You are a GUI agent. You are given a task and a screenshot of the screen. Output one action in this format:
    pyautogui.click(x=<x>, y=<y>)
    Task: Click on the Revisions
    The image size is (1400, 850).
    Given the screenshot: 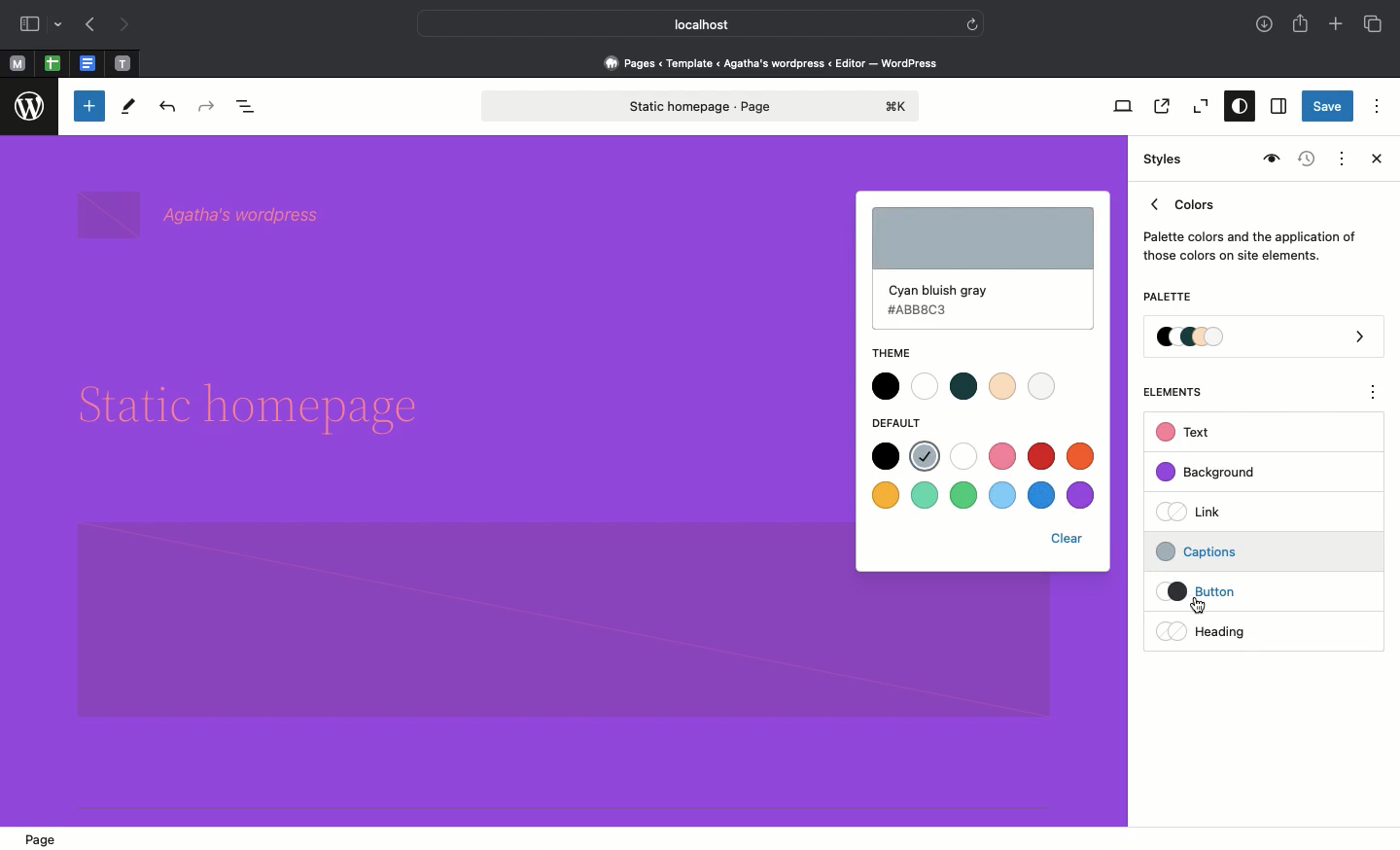 What is the action you would take?
    pyautogui.click(x=1304, y=160)
    